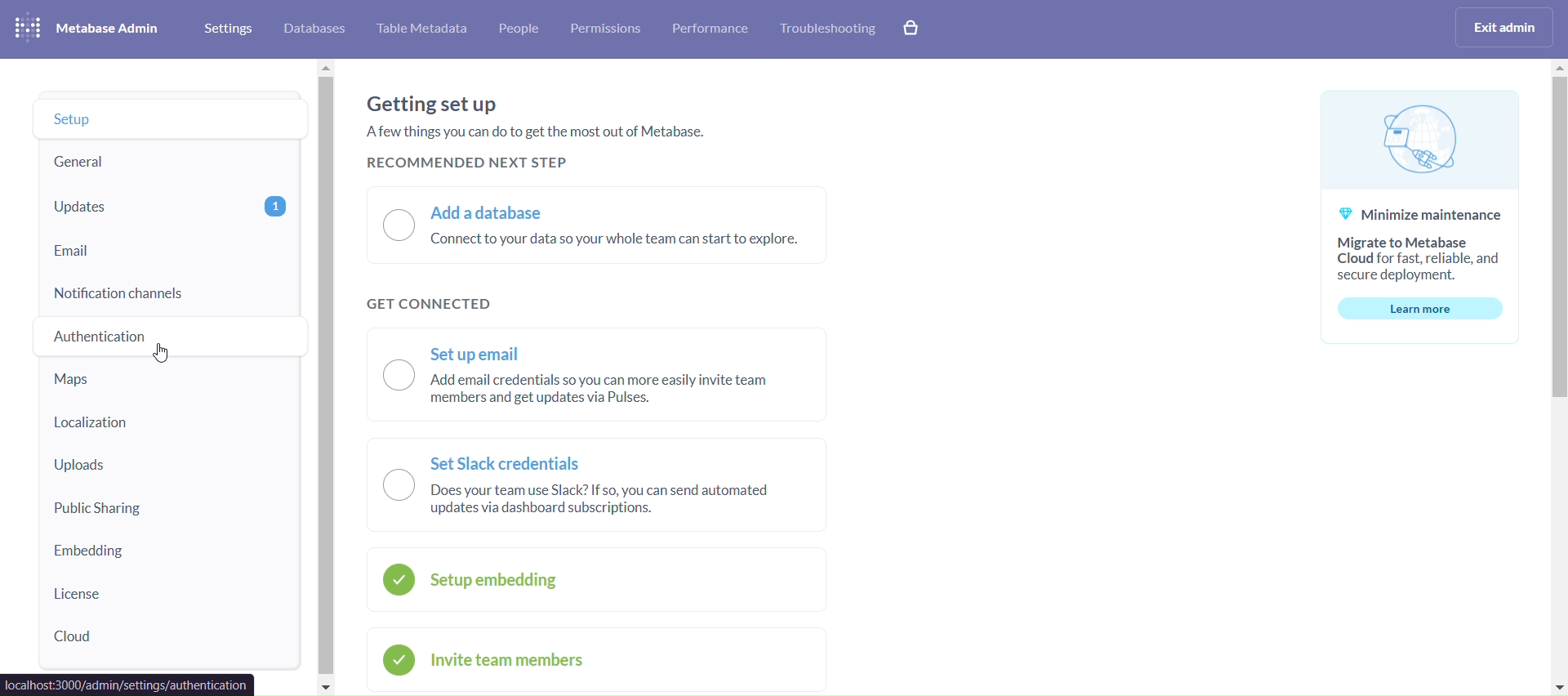 The width and height of the screenshot is (1568, 696). I want to click on exist admin, so click(1506, 26).